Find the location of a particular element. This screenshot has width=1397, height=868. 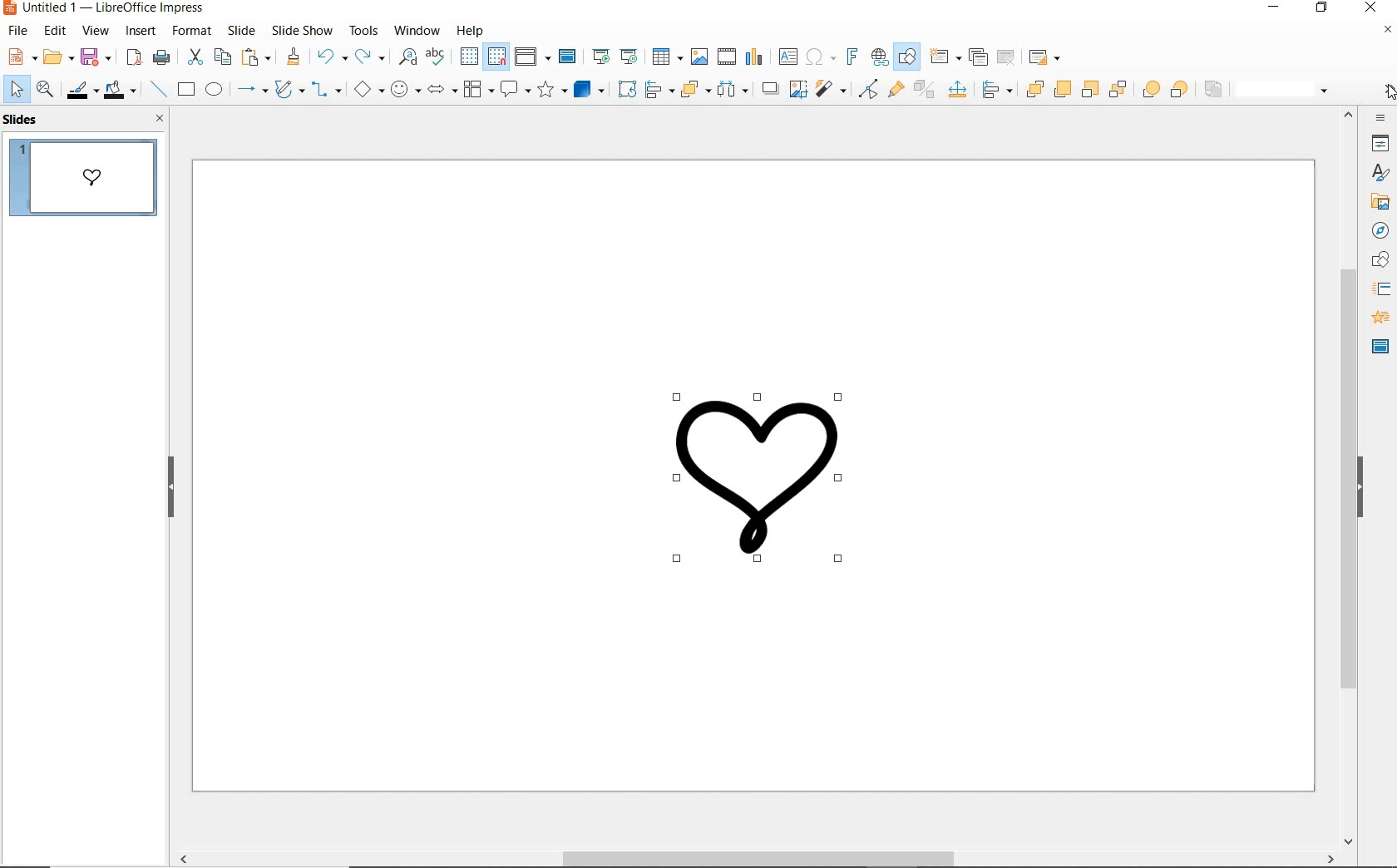

 is located at coordinates (1380, 203).